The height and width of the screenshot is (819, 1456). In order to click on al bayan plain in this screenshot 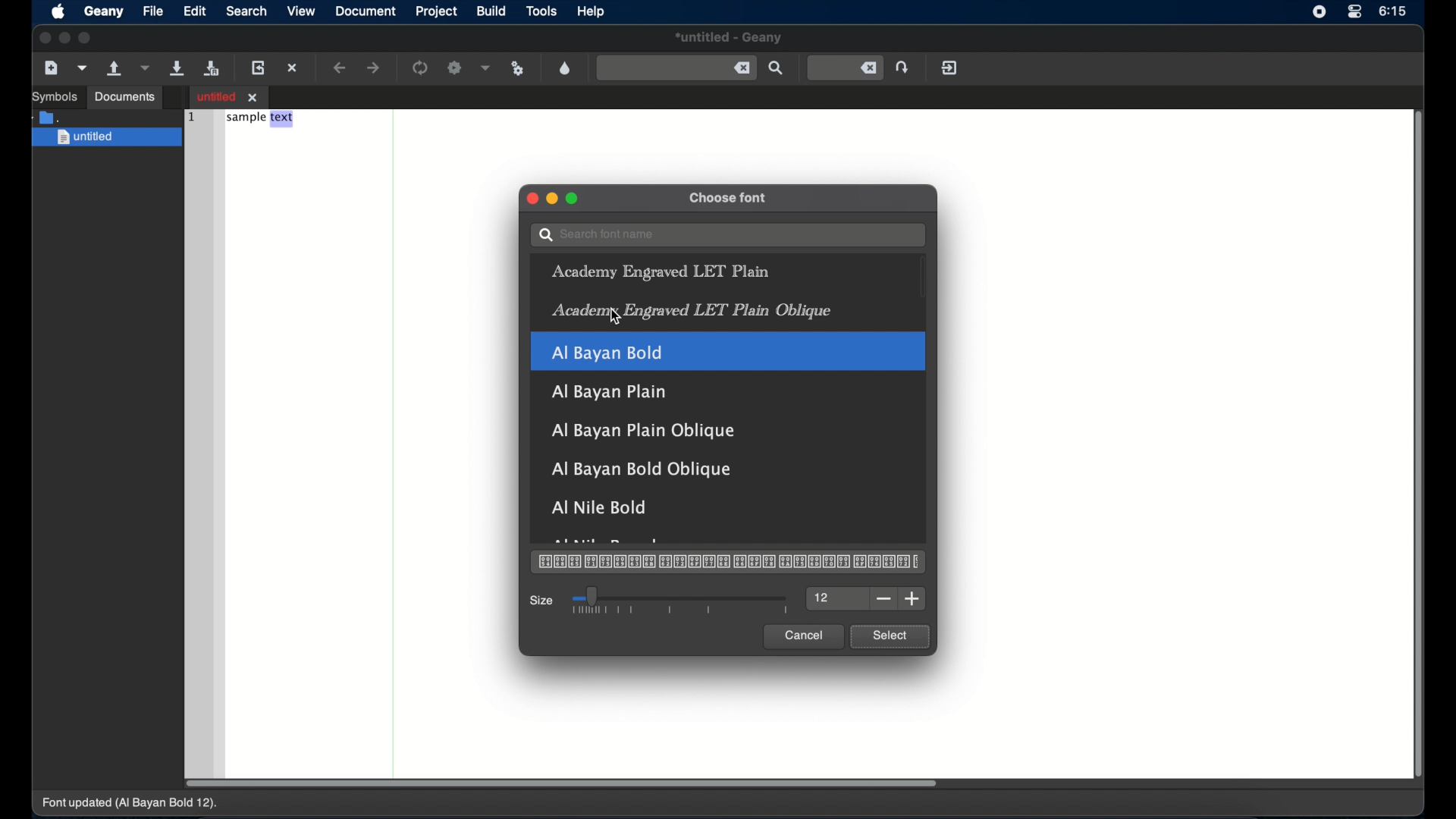, I will do `click(609, 392)`.